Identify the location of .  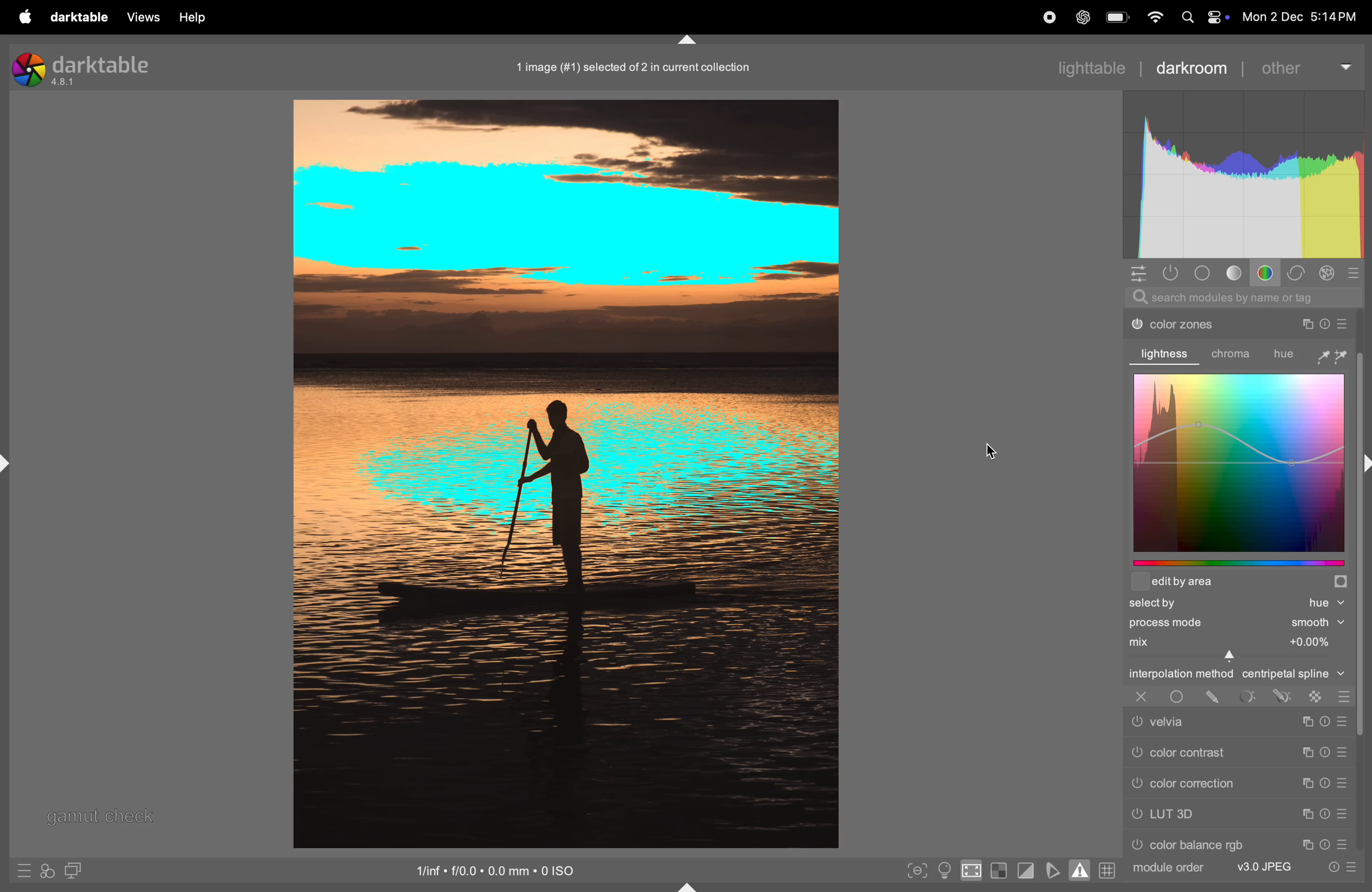
(1201, 273).